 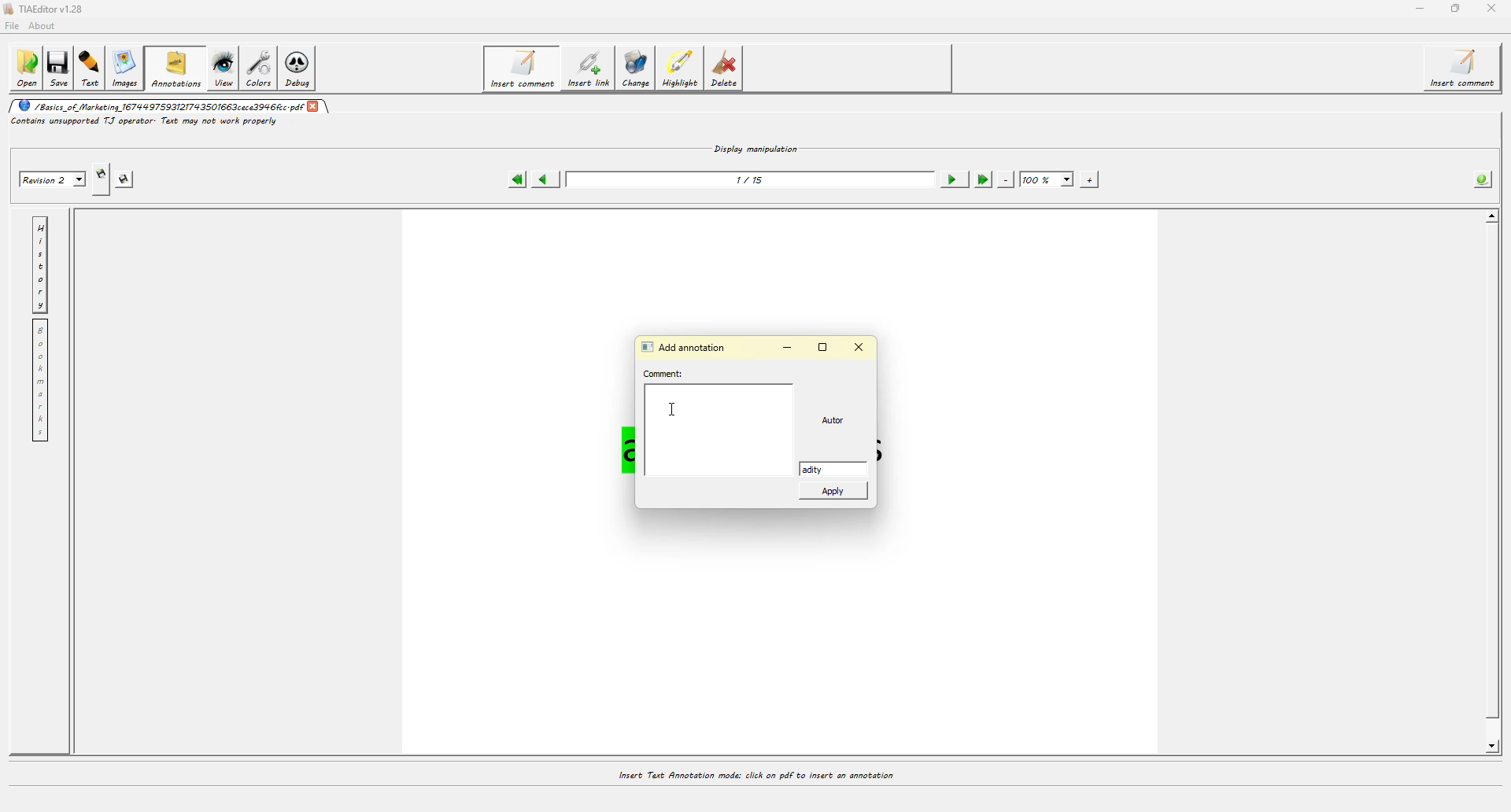 What do you see at coordinates (683, 69) in the screenshot?
I see `highlight` at bounding box center [683, 69].